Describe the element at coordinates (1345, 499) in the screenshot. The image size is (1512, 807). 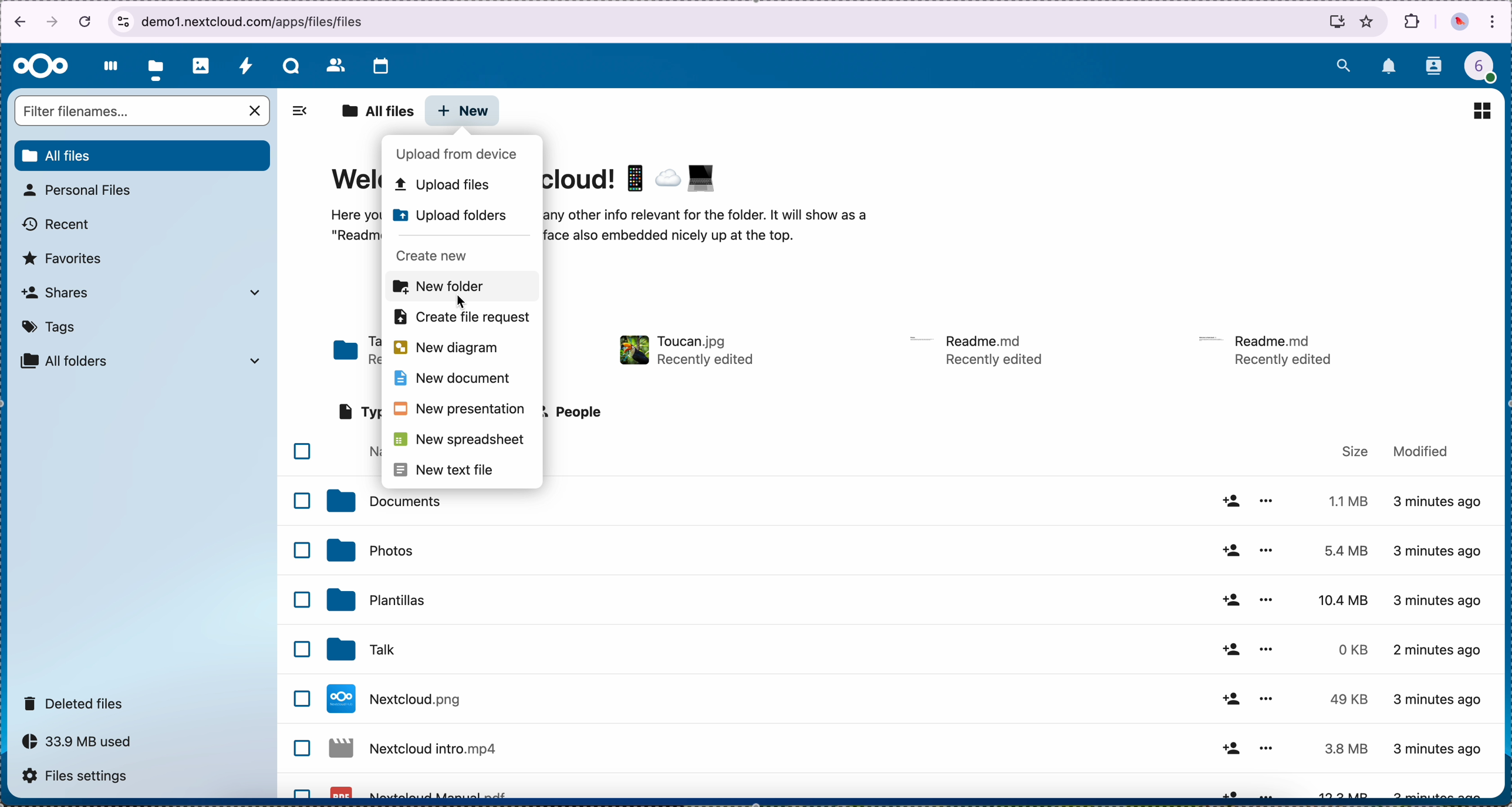
I see `1.1 MB` at that location.